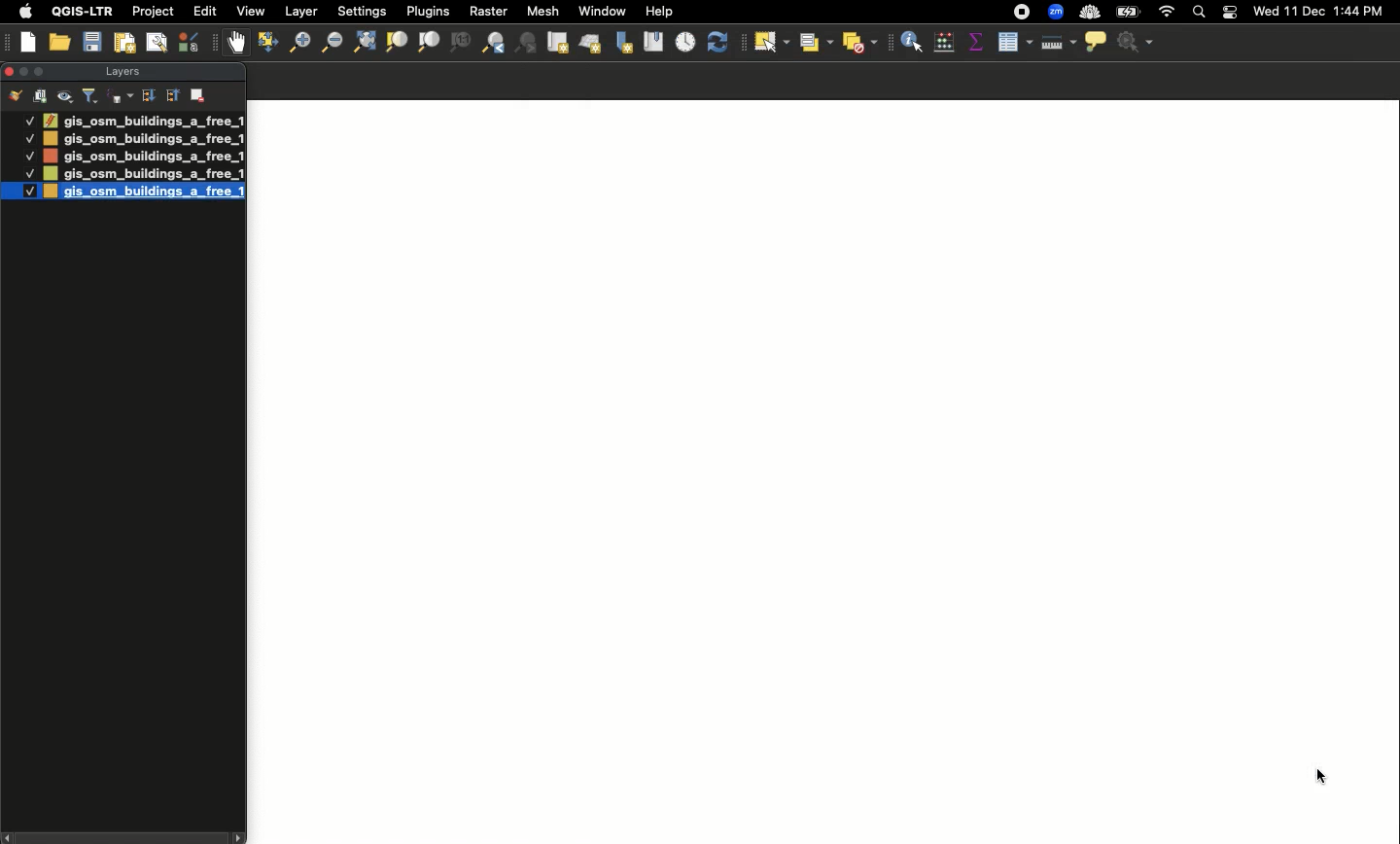  What do you see at coordinates (330, 42) in the screenshot?
I see `Zoom out ` at bounding box center [330, 42].